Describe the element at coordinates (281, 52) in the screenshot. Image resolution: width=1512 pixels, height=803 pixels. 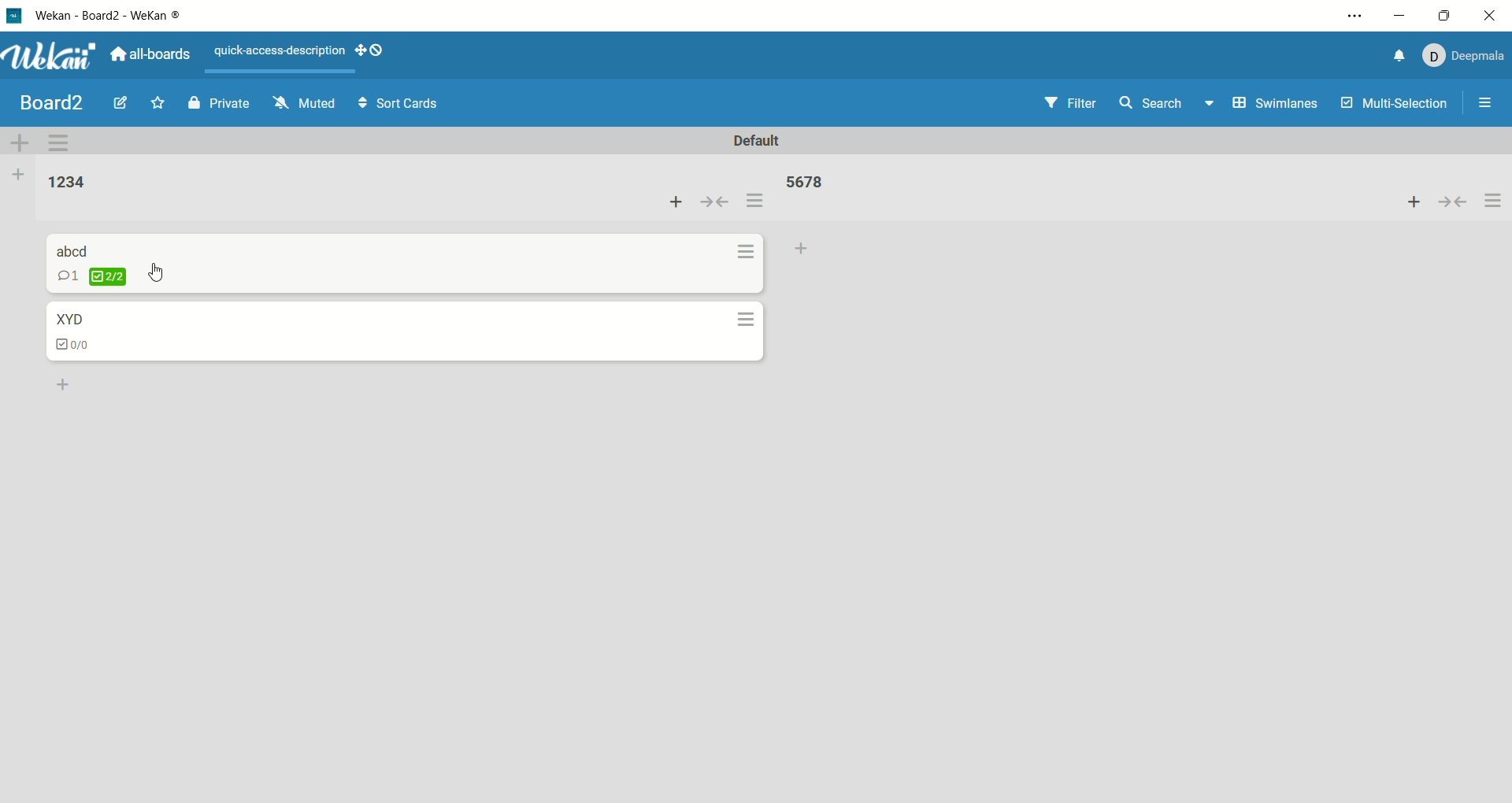
I see `text` at that location.